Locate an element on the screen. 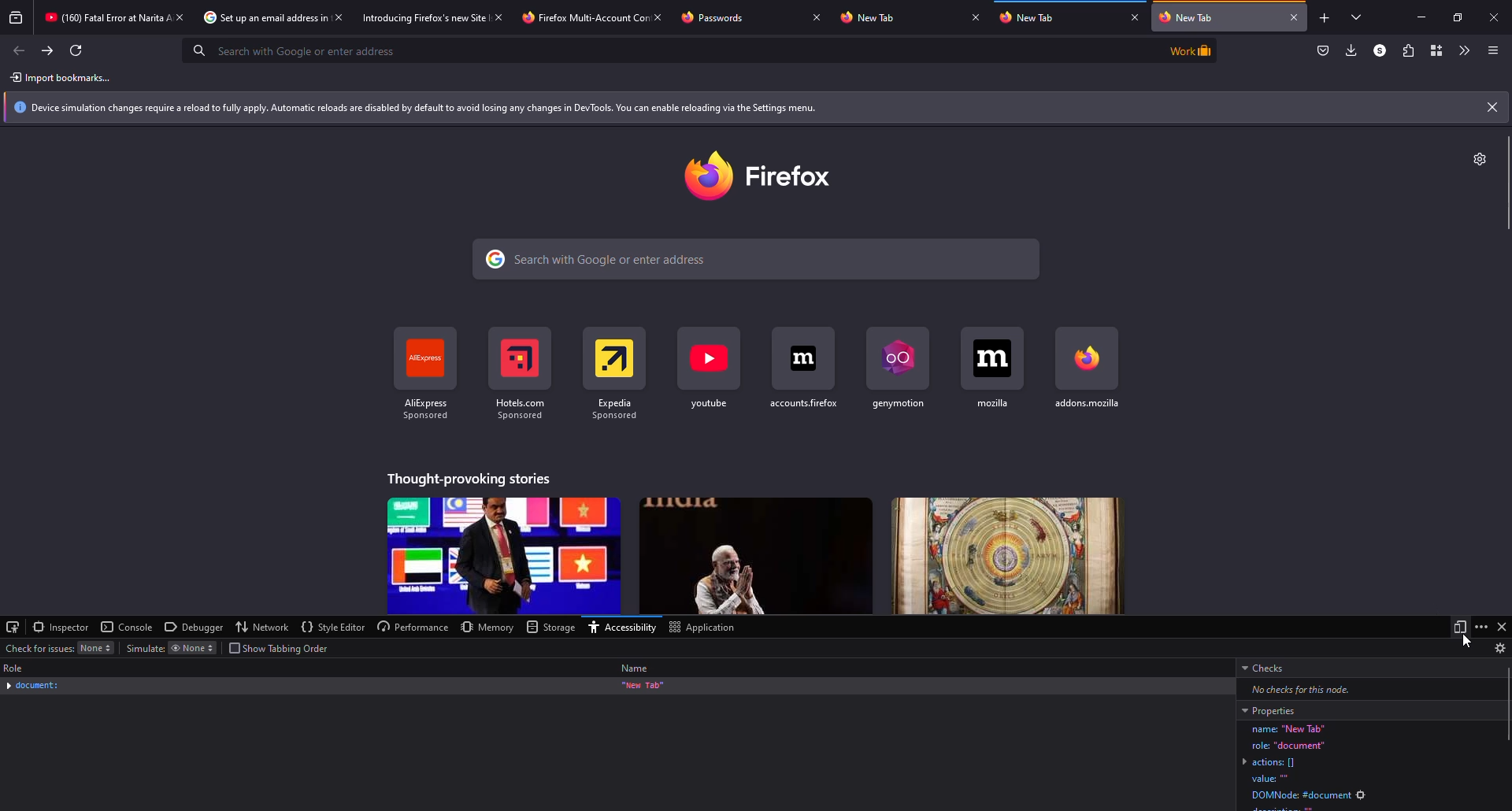  AllExpress shortcut is located at coordinates (426, 373).